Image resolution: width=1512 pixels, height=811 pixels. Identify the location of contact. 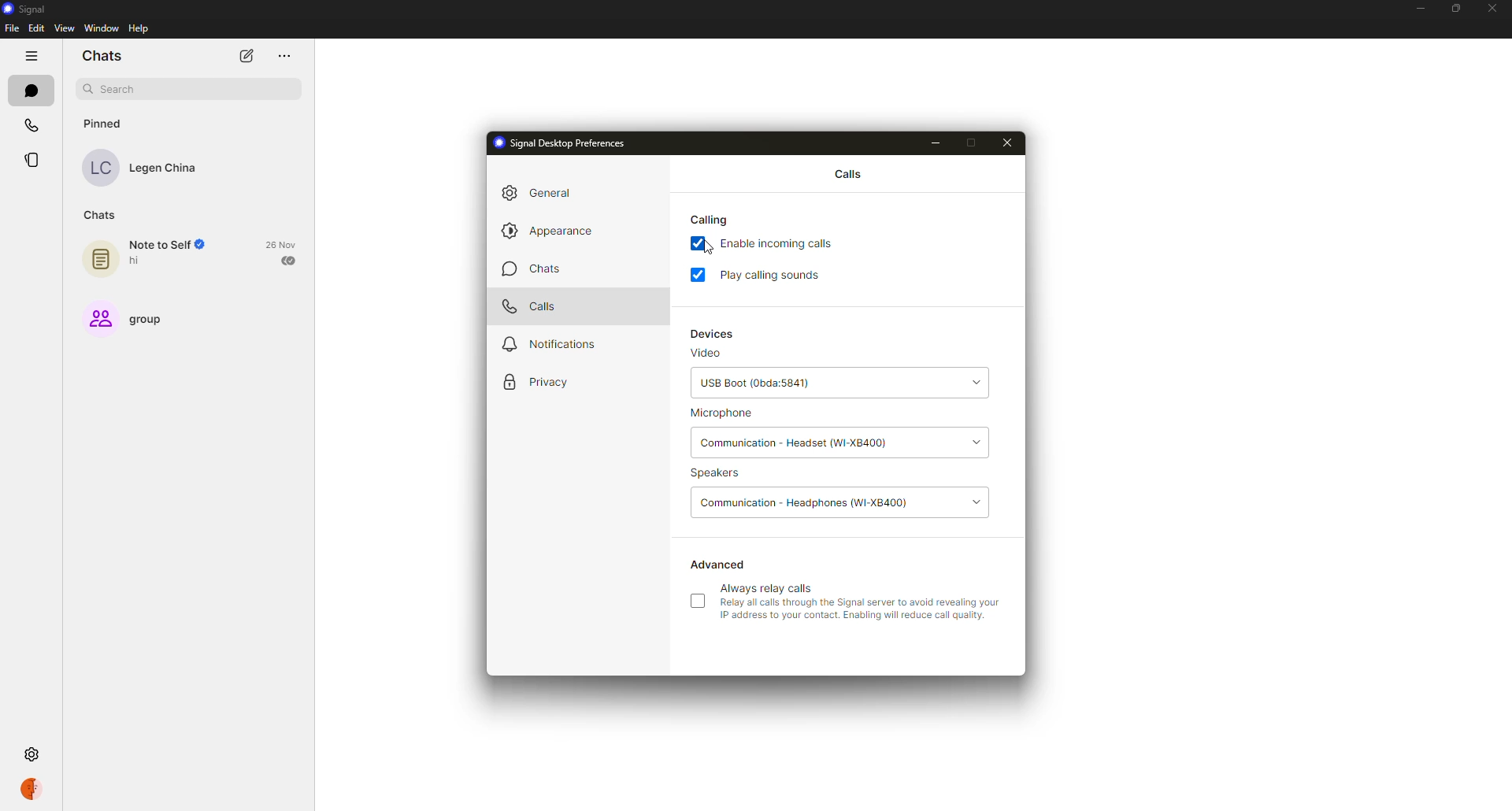
(140, 166).